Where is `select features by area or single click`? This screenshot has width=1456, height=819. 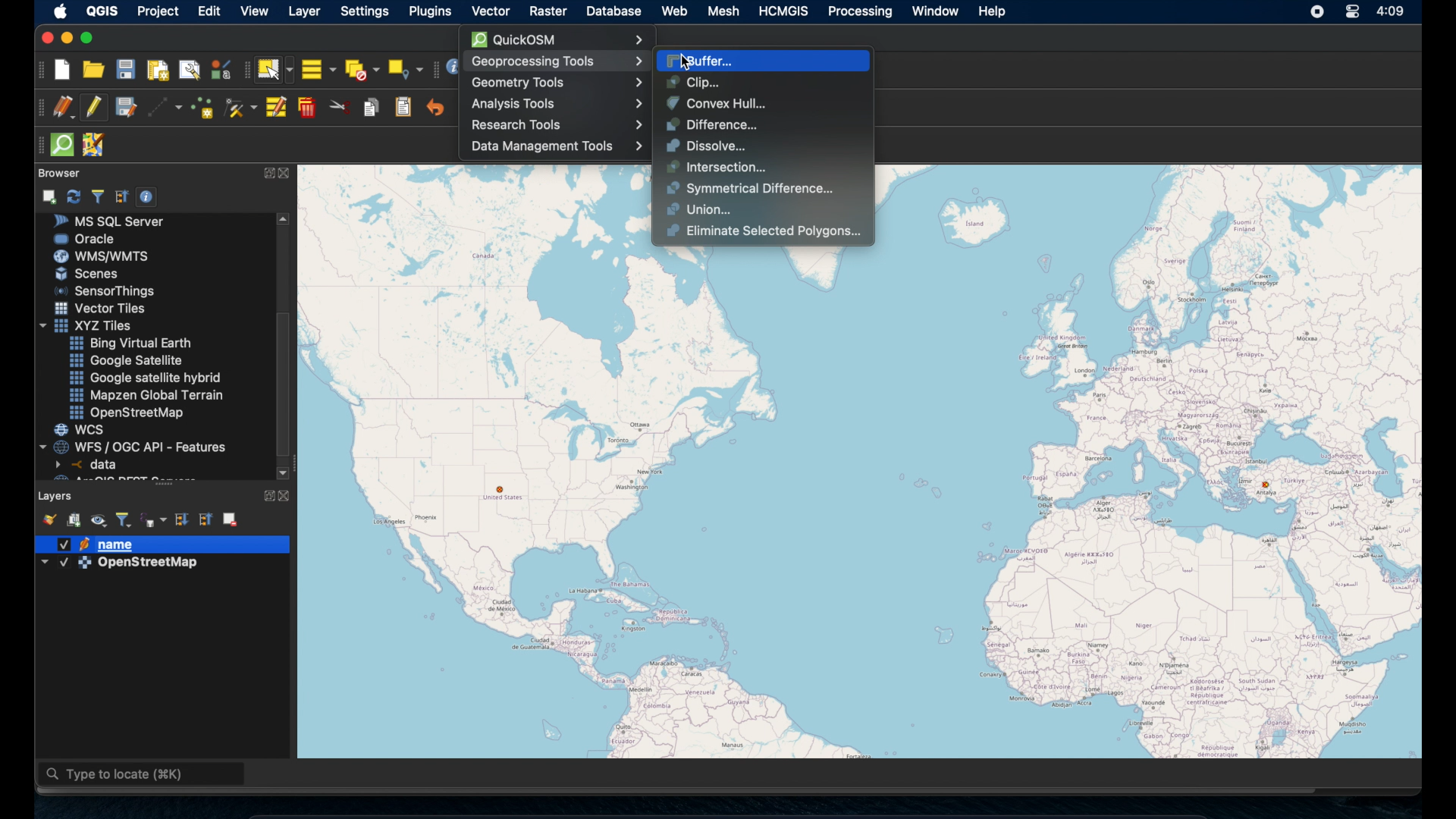 select features by area or single click is located at coordinates (275, 69).